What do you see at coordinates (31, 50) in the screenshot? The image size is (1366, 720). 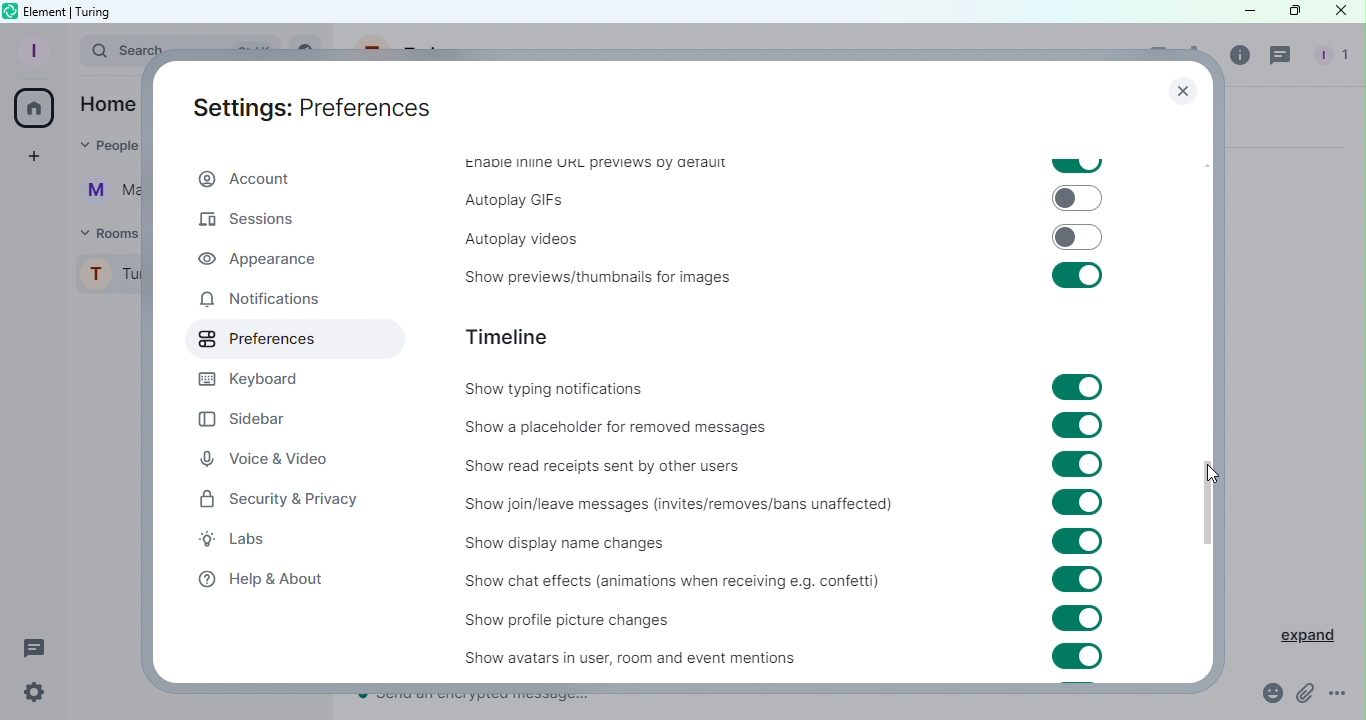 I see `Profile` at bounding box center [31, 50].